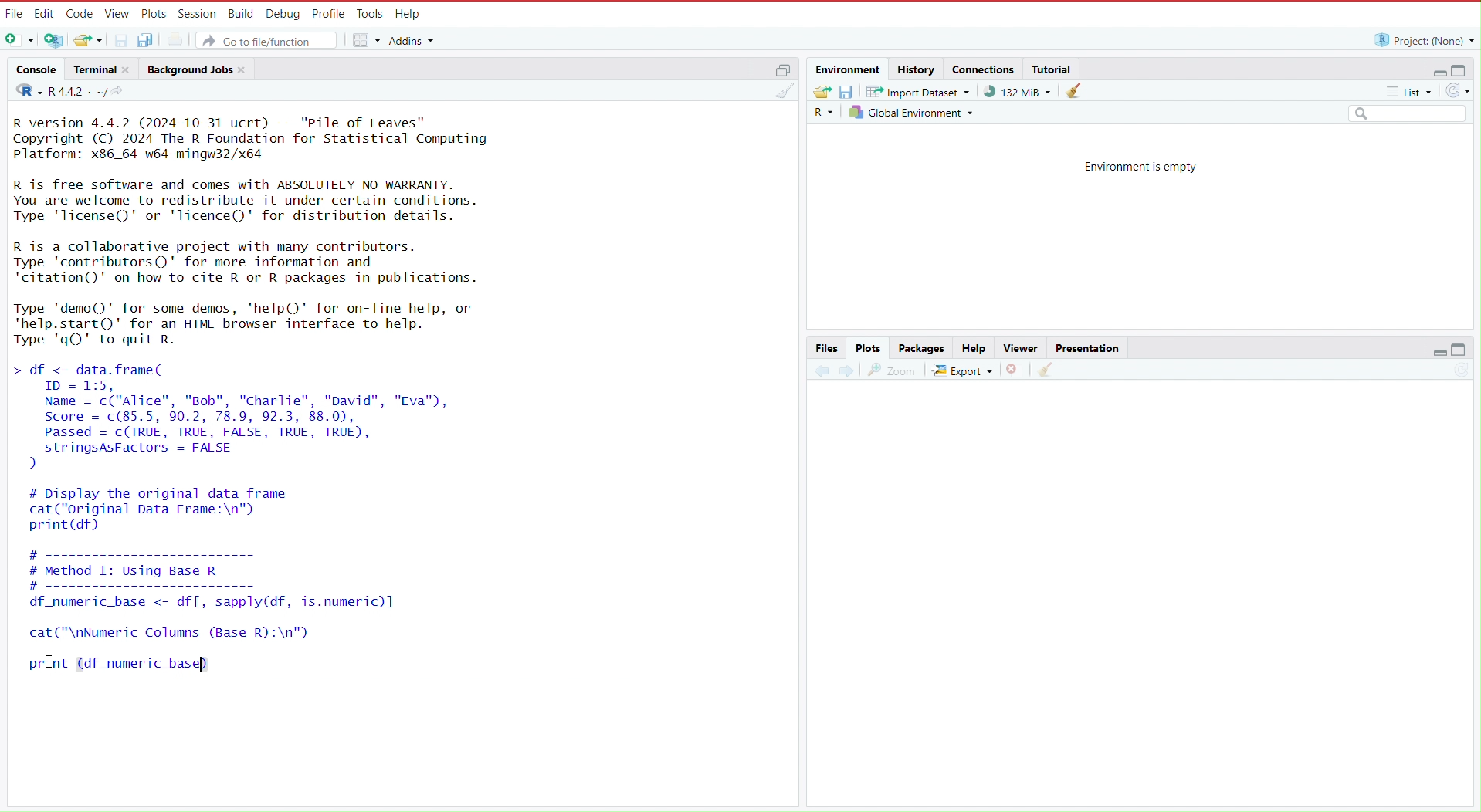  Describe the element at coordinates (781, 68) in the screenshot. I see `maximize` at that location.